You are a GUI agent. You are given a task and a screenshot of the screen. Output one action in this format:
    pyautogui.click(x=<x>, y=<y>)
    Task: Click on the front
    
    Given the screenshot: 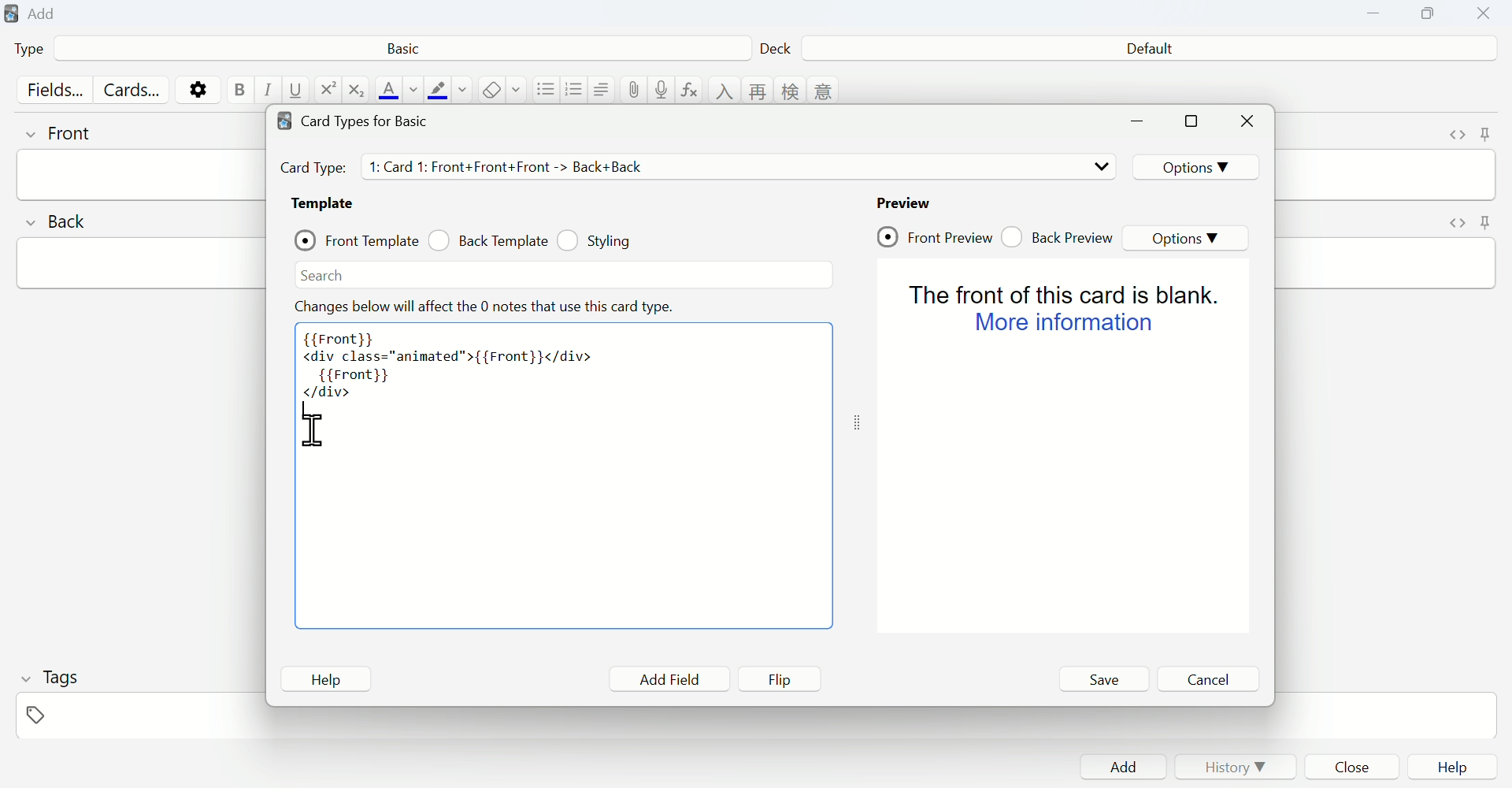 What is the action you would take?
    pyautogui.click(x=58, y=135)
    